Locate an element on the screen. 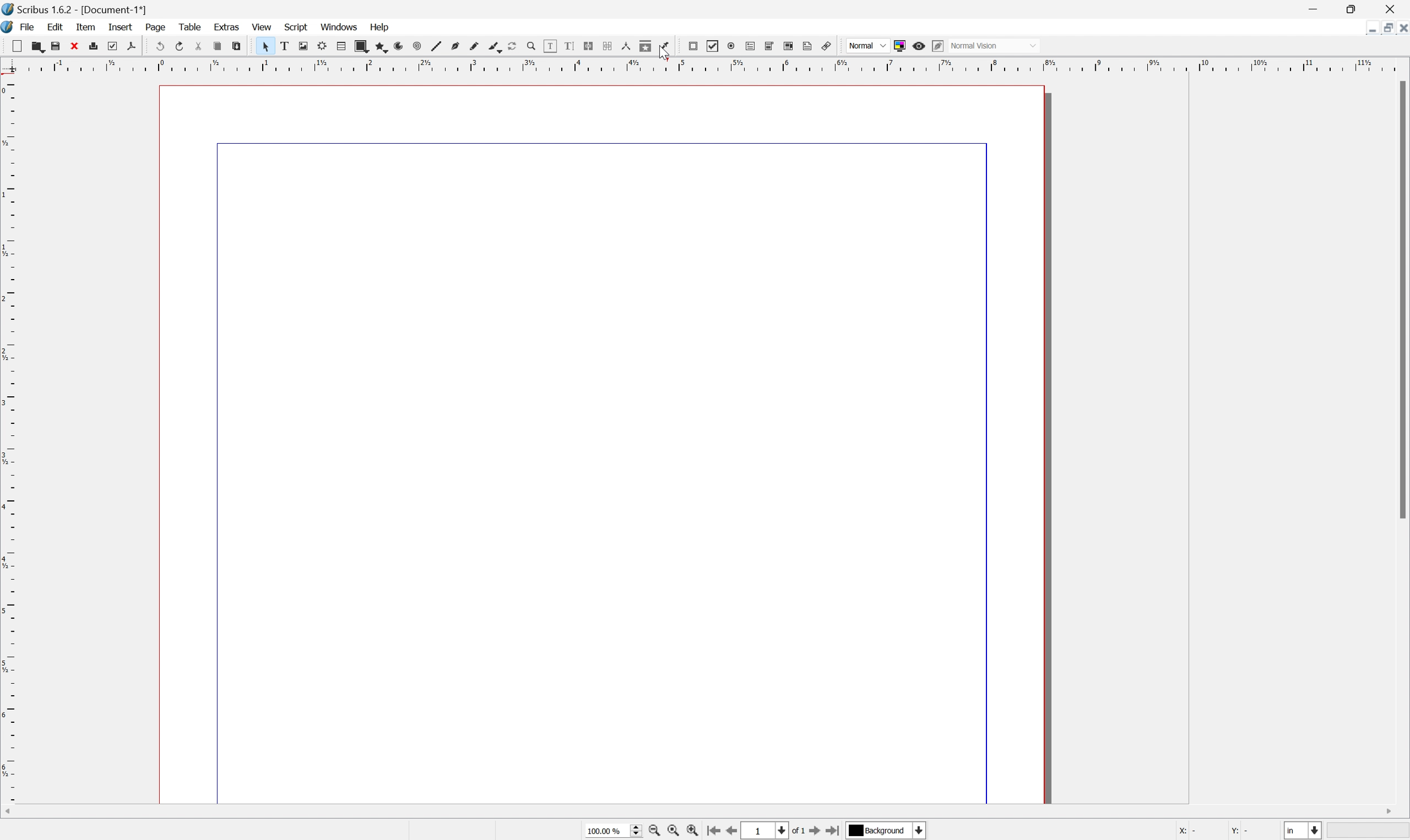  paste is located at coordinates (240, 47).